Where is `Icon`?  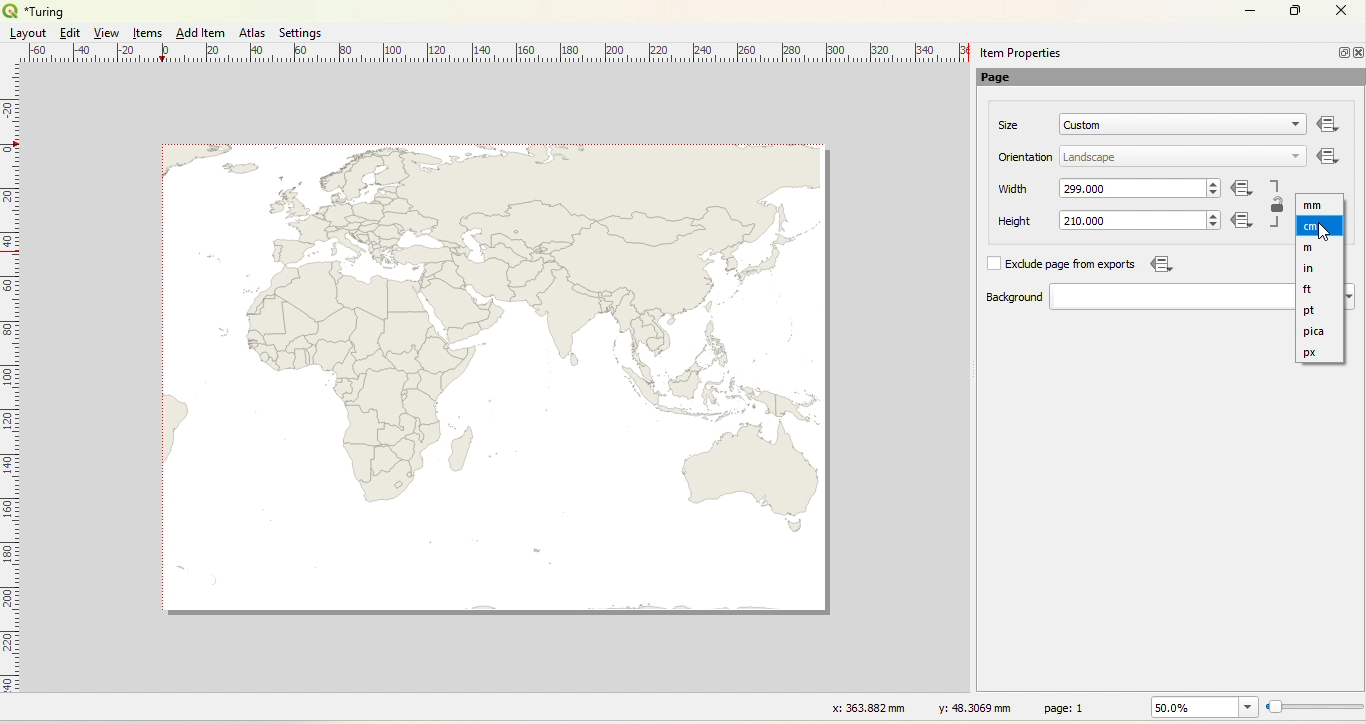
Icon is located at coordinates (1159, 264).